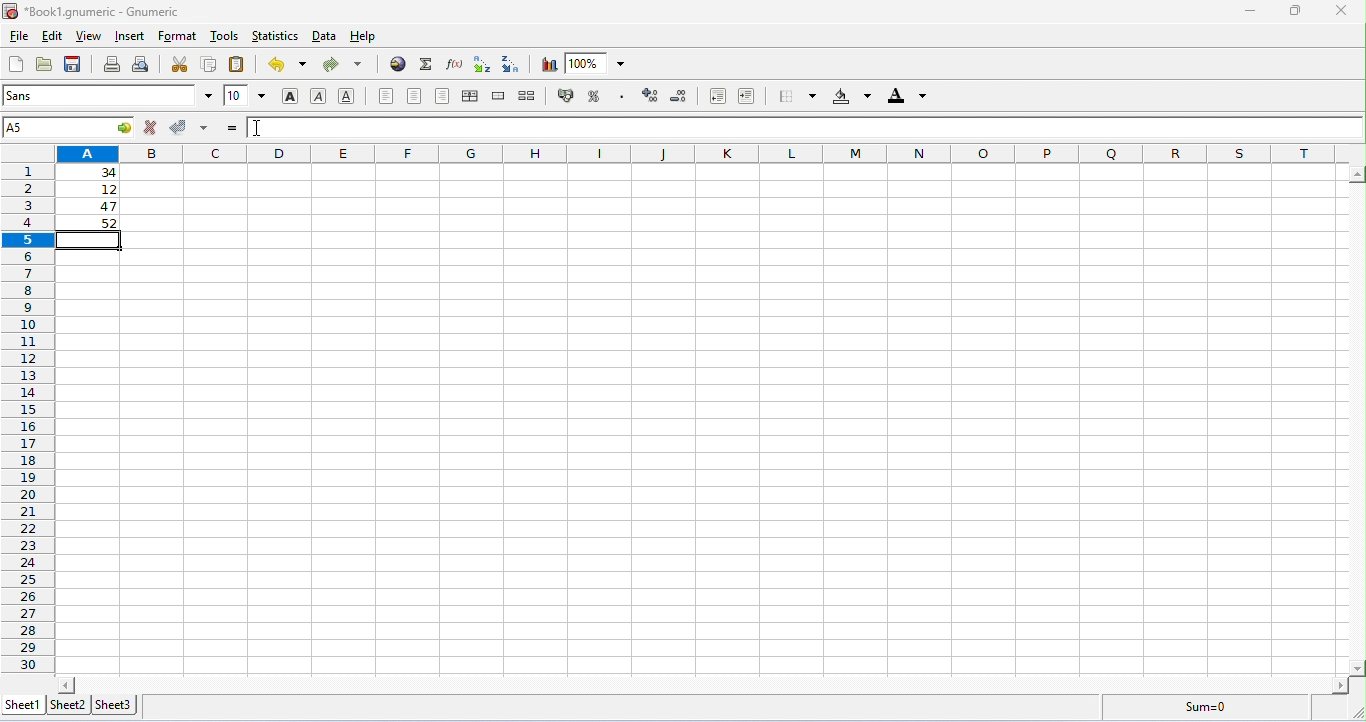  What do you see at coordinates (797, 95) in the screenshot?
I see `borders` at bounding box center [797, 95].